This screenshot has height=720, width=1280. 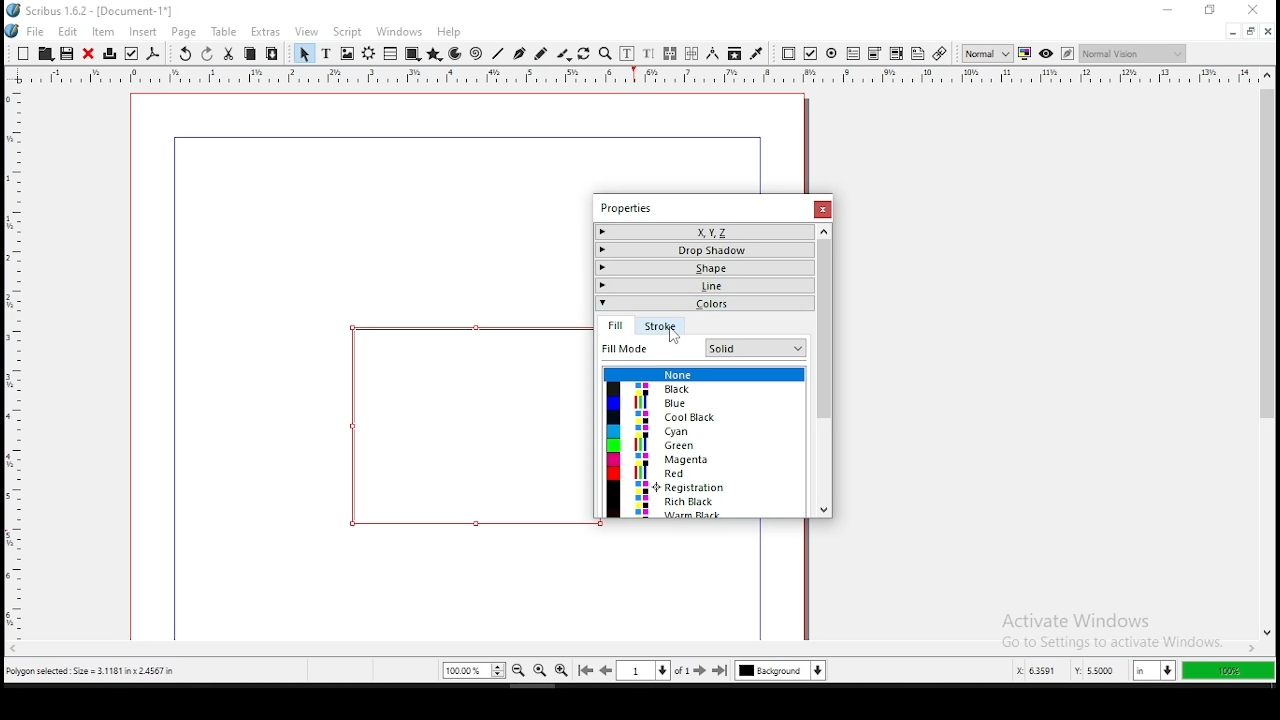 I want to click on magenta, so click(x=704, y=459).